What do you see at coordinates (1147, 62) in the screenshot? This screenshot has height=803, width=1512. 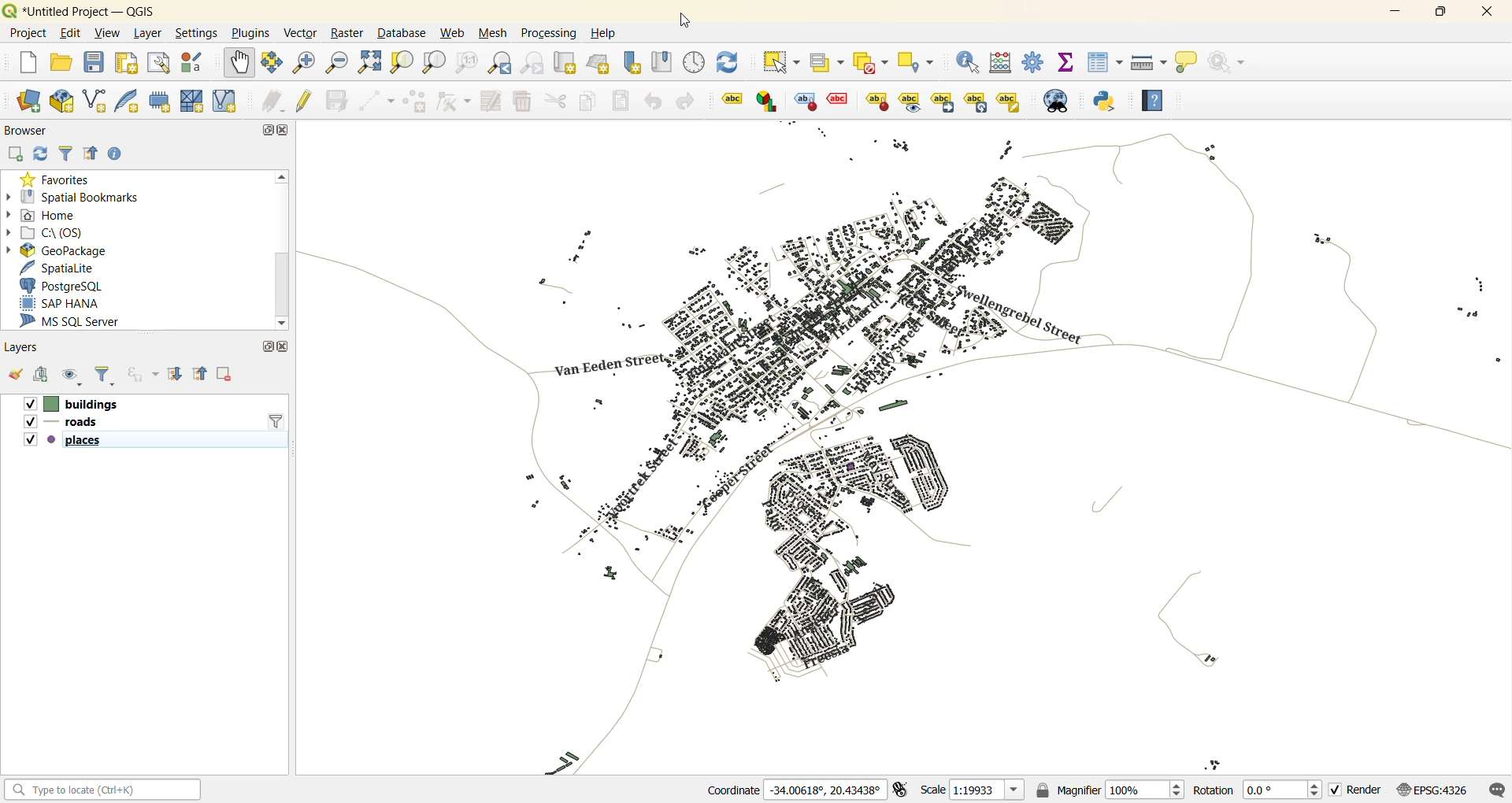 I see `measure line` at bounding box center [1147, 62].